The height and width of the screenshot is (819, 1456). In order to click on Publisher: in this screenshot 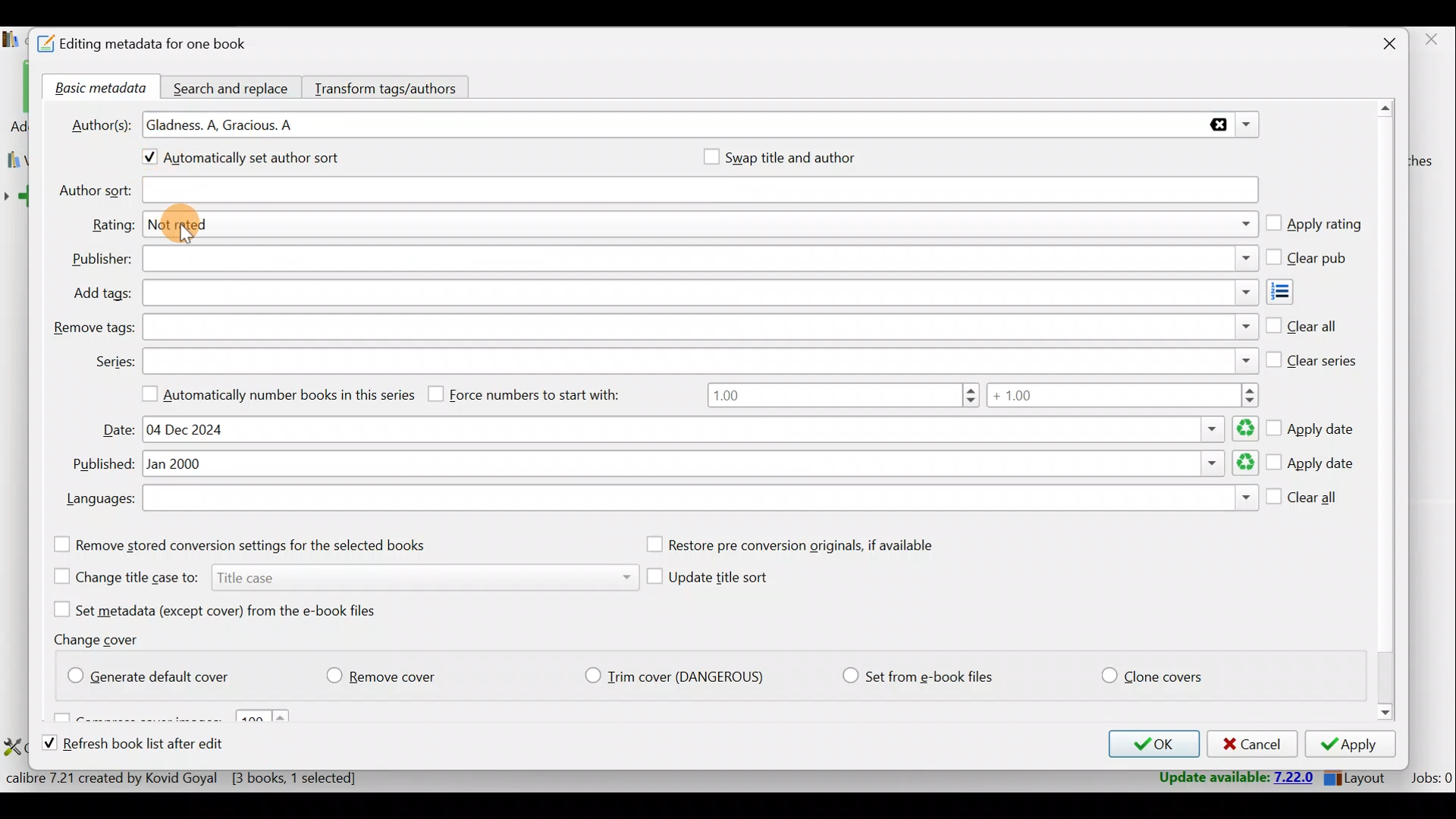, I will do `click(102, 259)`.